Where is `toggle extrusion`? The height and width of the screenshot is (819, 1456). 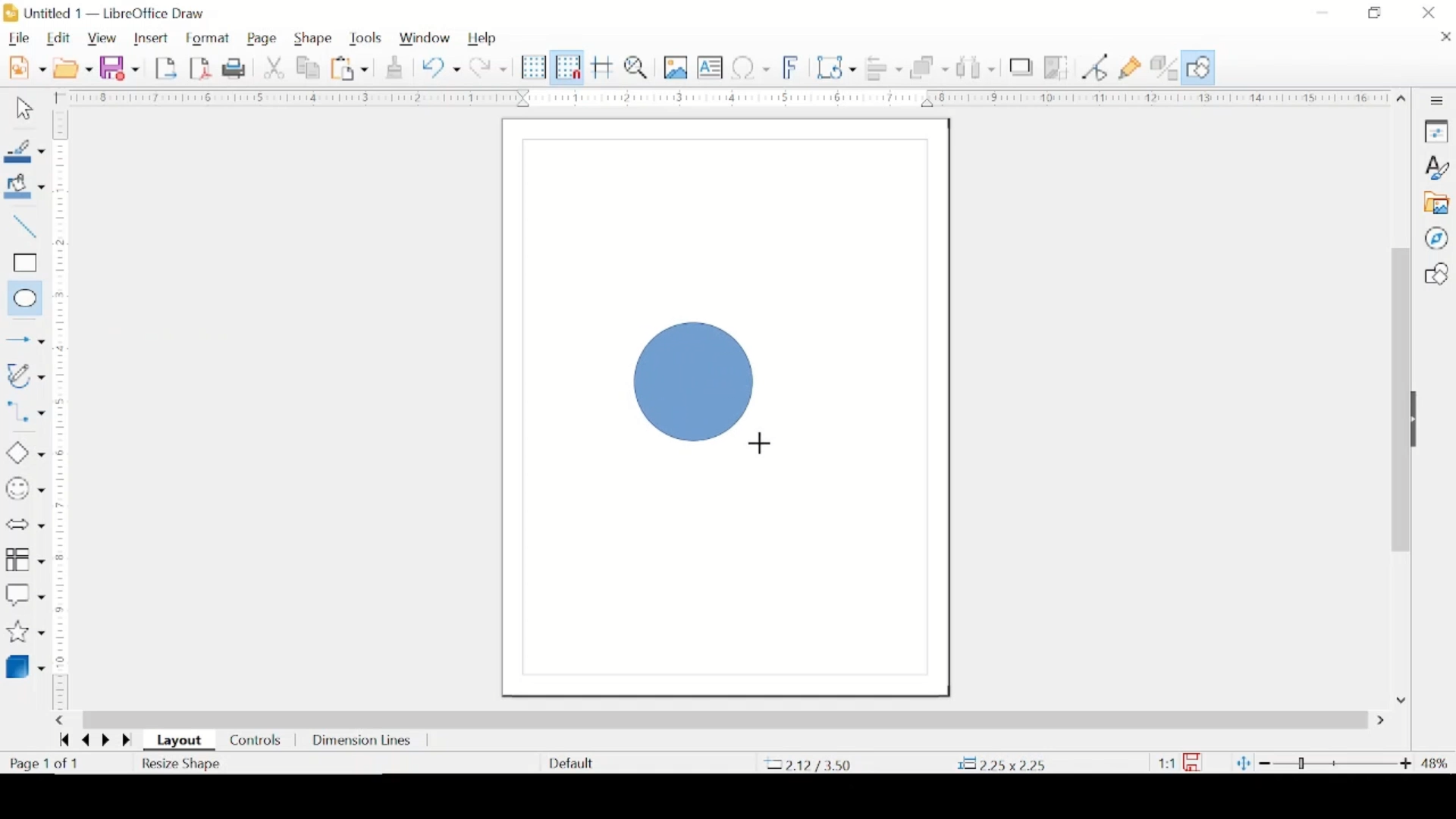
toggle extrusion is located at coordinates (1165, 67).